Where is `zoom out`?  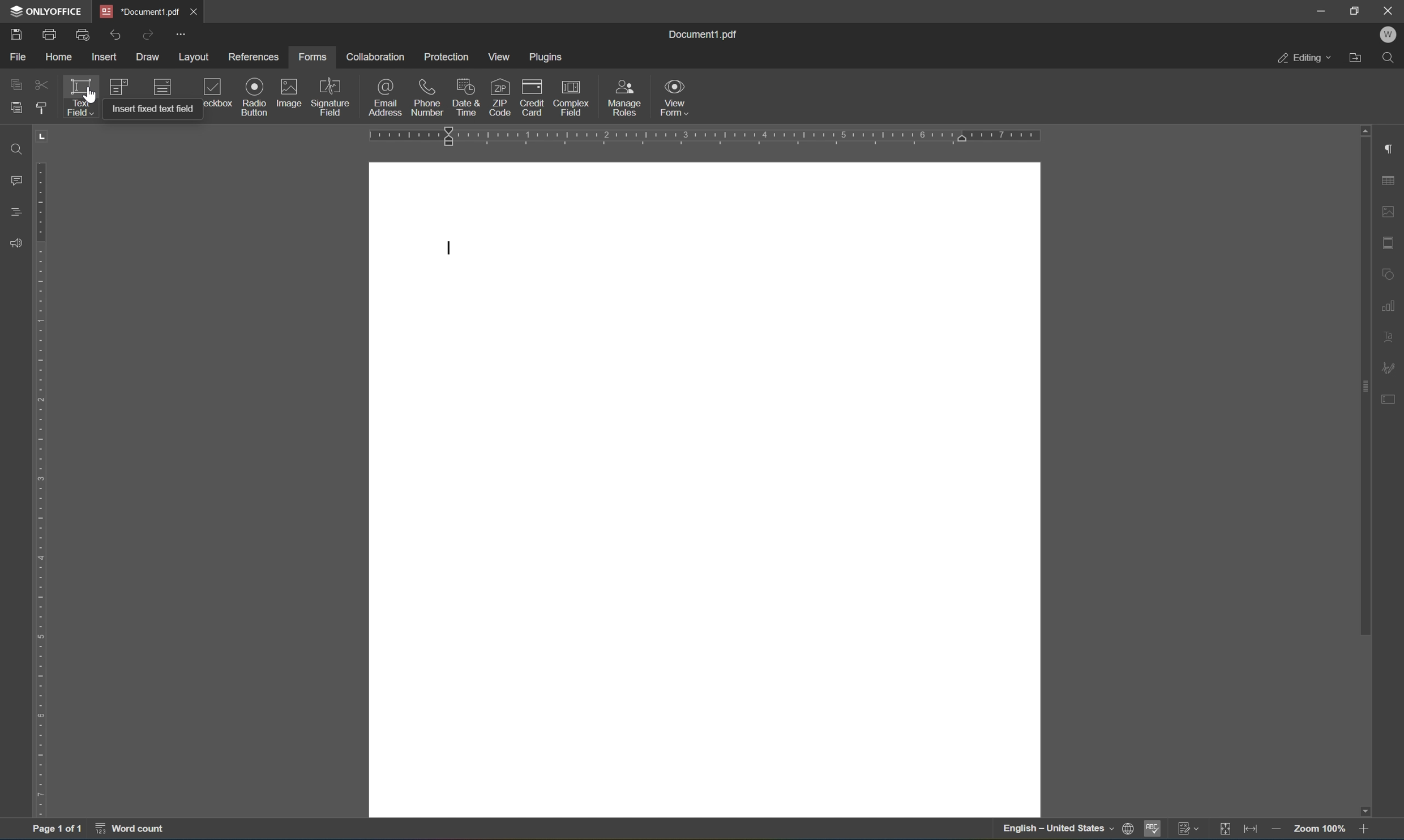
zoom out is located at coordinates (1278, 830).